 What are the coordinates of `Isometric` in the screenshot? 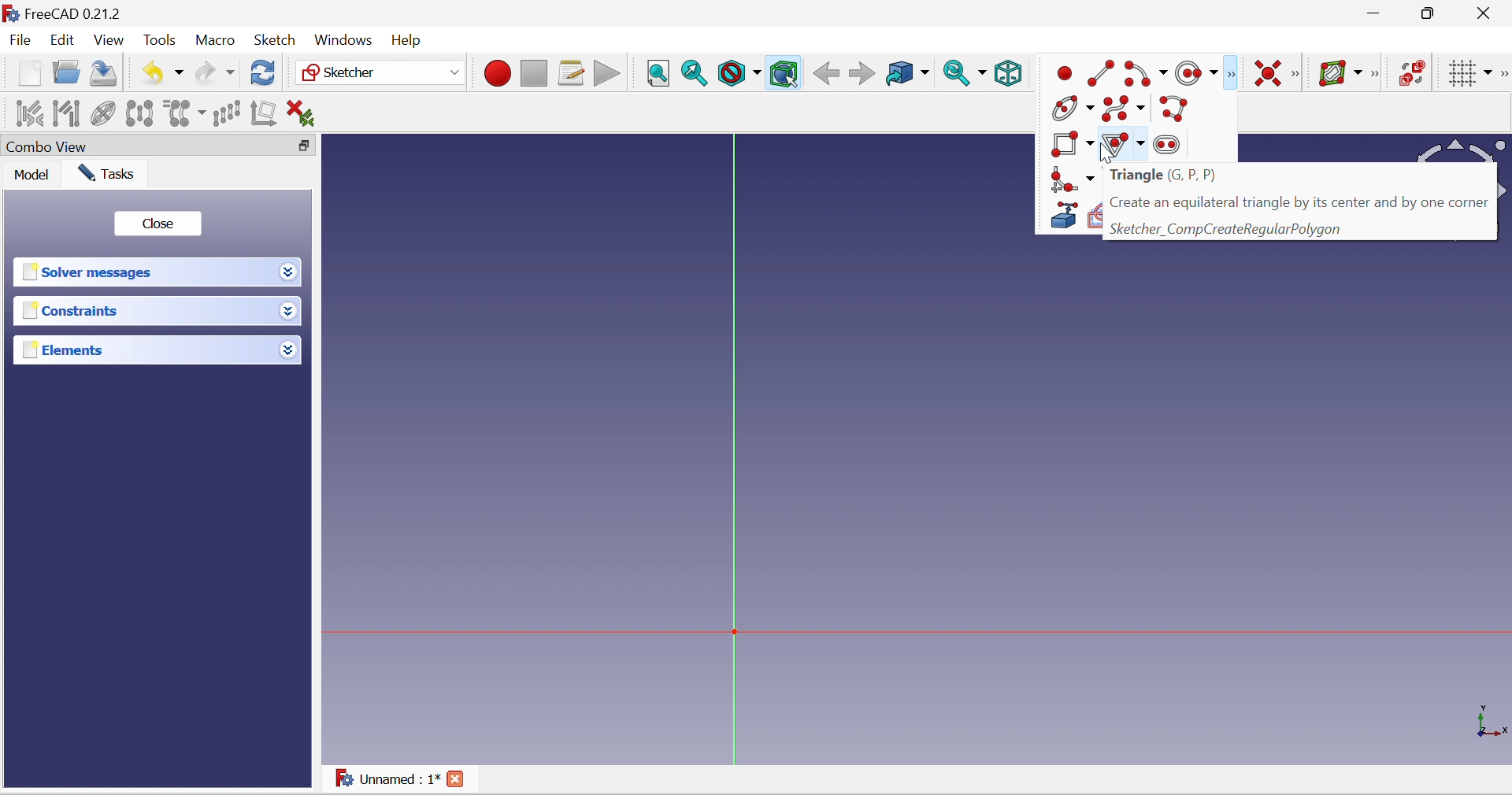 It's located at (1009, 73).